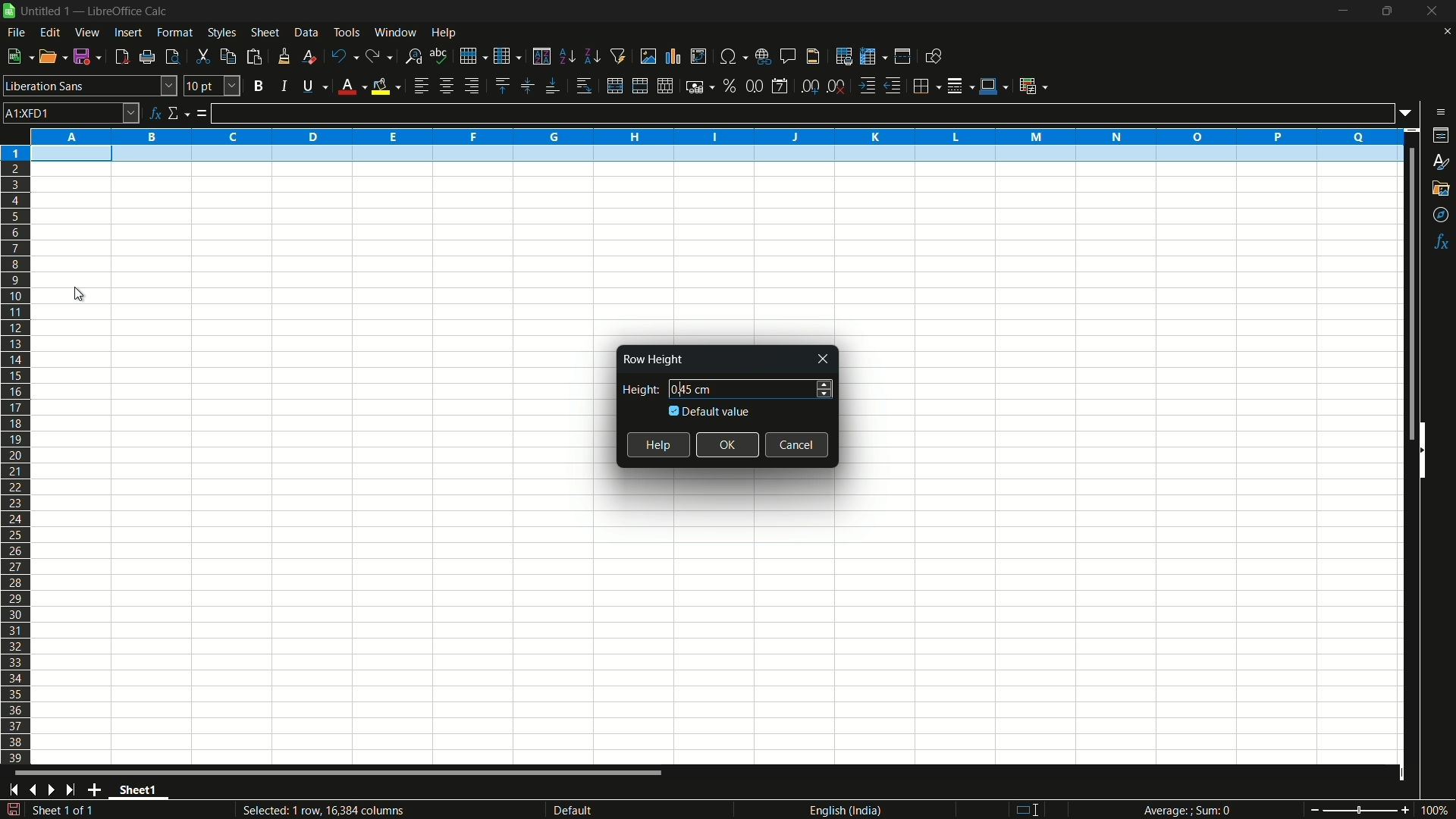 This screenshot has height=819, width=1456. What do you see at coordinates (32, 790) in the screenshot?
I see `previous sheet` at bounding box center [32, 790].